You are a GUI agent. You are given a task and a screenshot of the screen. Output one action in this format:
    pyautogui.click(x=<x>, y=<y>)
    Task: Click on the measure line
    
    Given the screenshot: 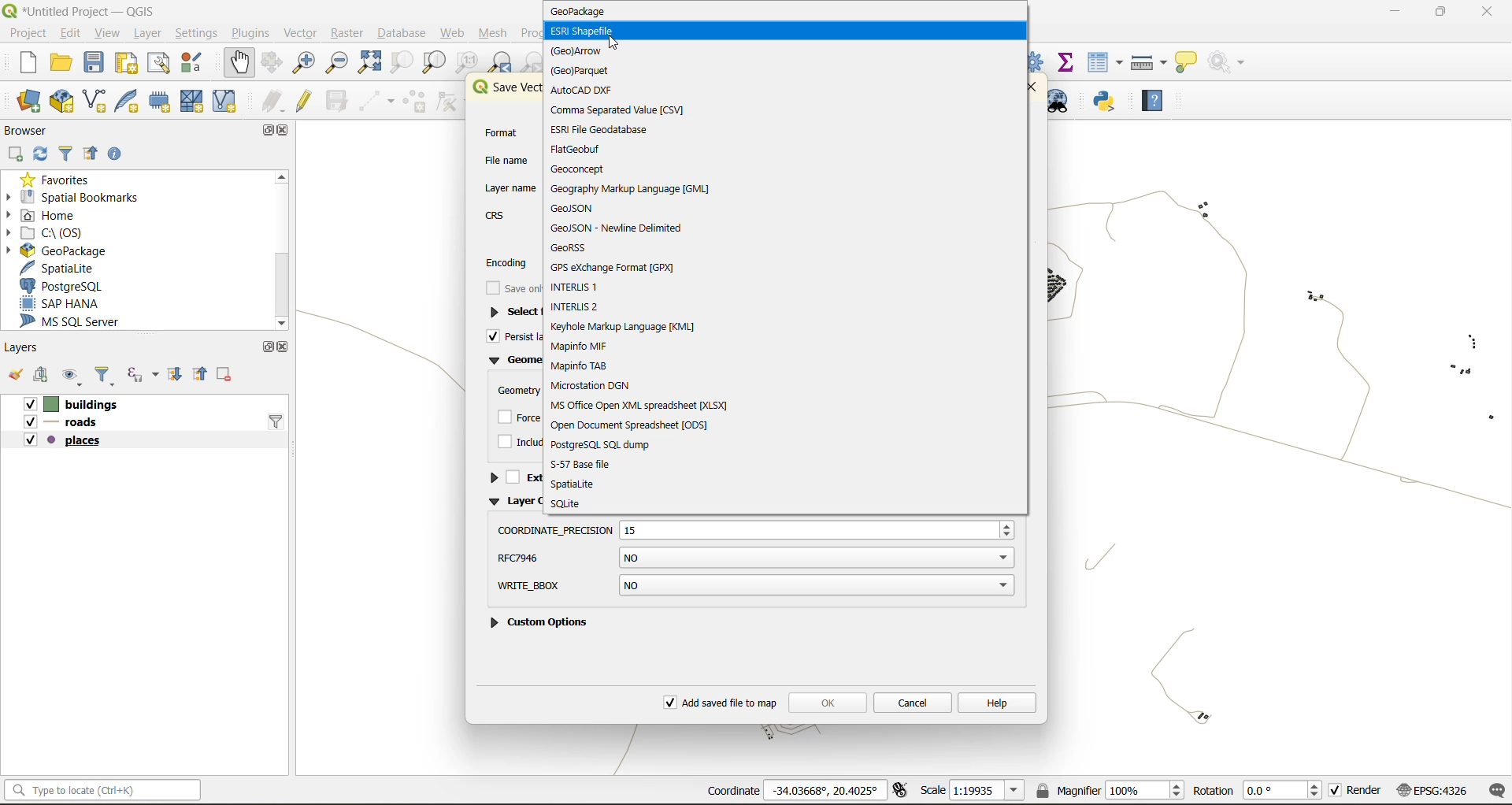 What is the action you would take?
    pyautogui.click(x=1147, y=61)
    